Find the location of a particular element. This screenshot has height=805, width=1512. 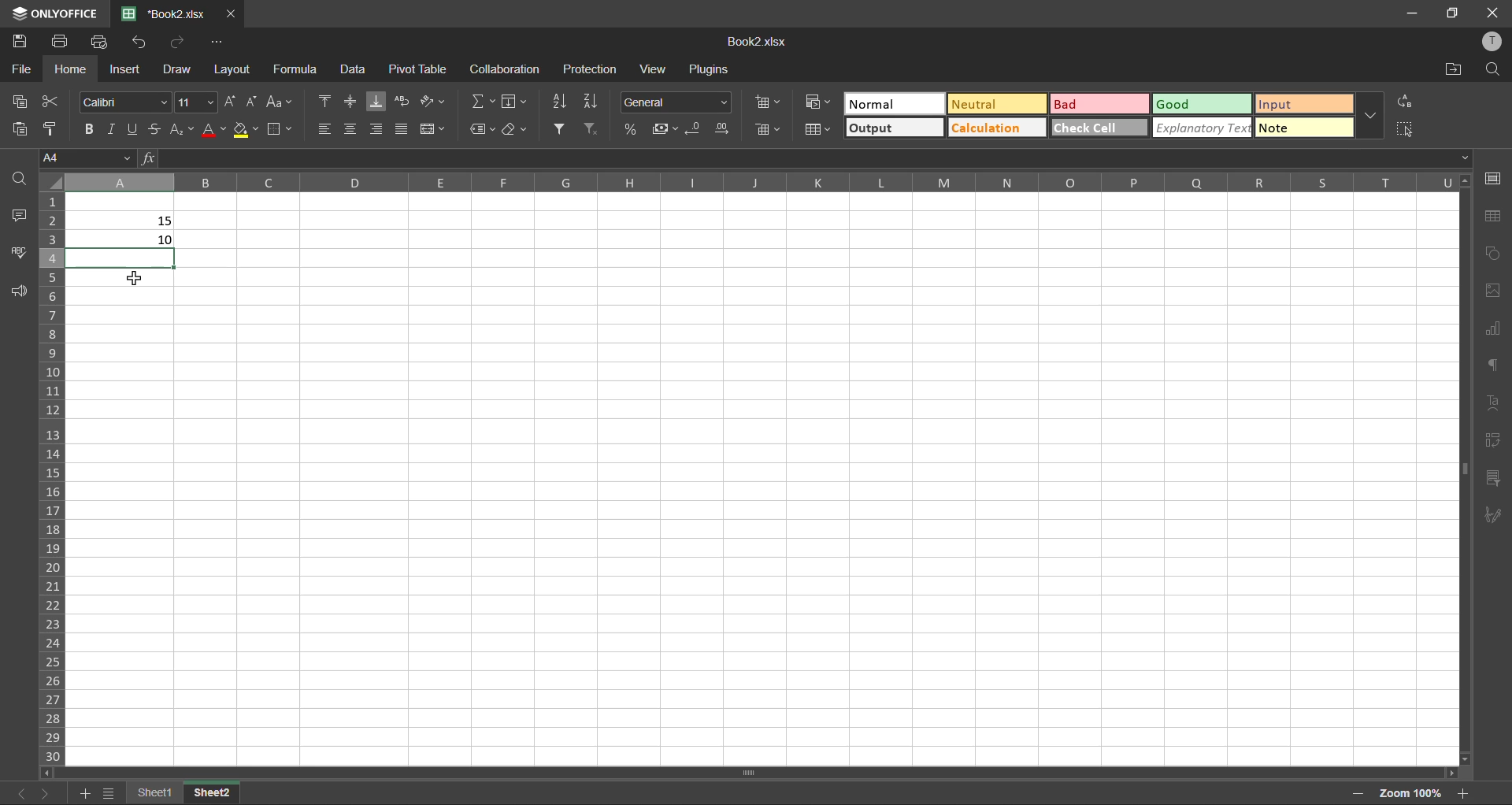

previous is located at coordinates (17, 793).